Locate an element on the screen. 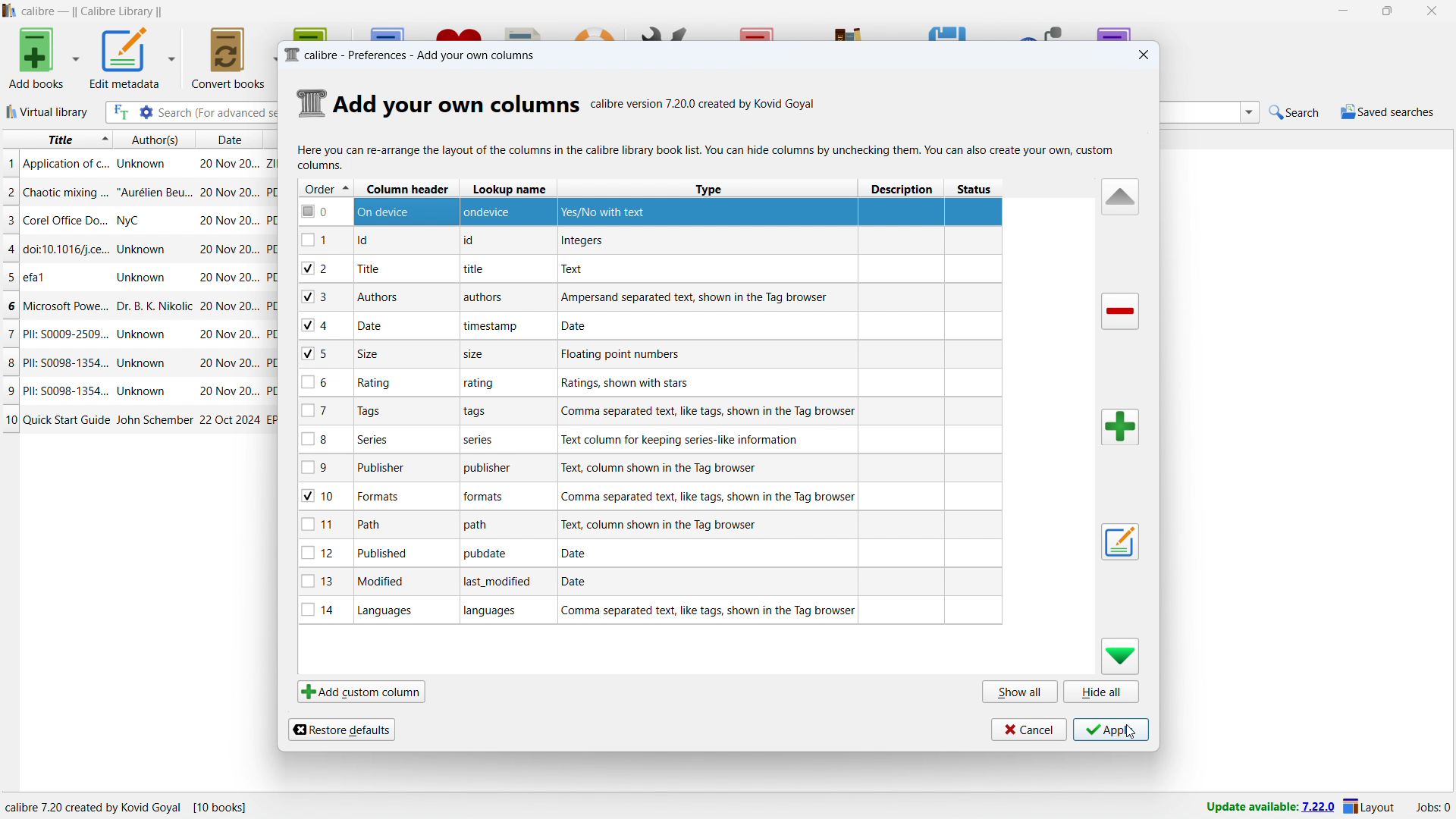  date is located at coordinates (227, 278).